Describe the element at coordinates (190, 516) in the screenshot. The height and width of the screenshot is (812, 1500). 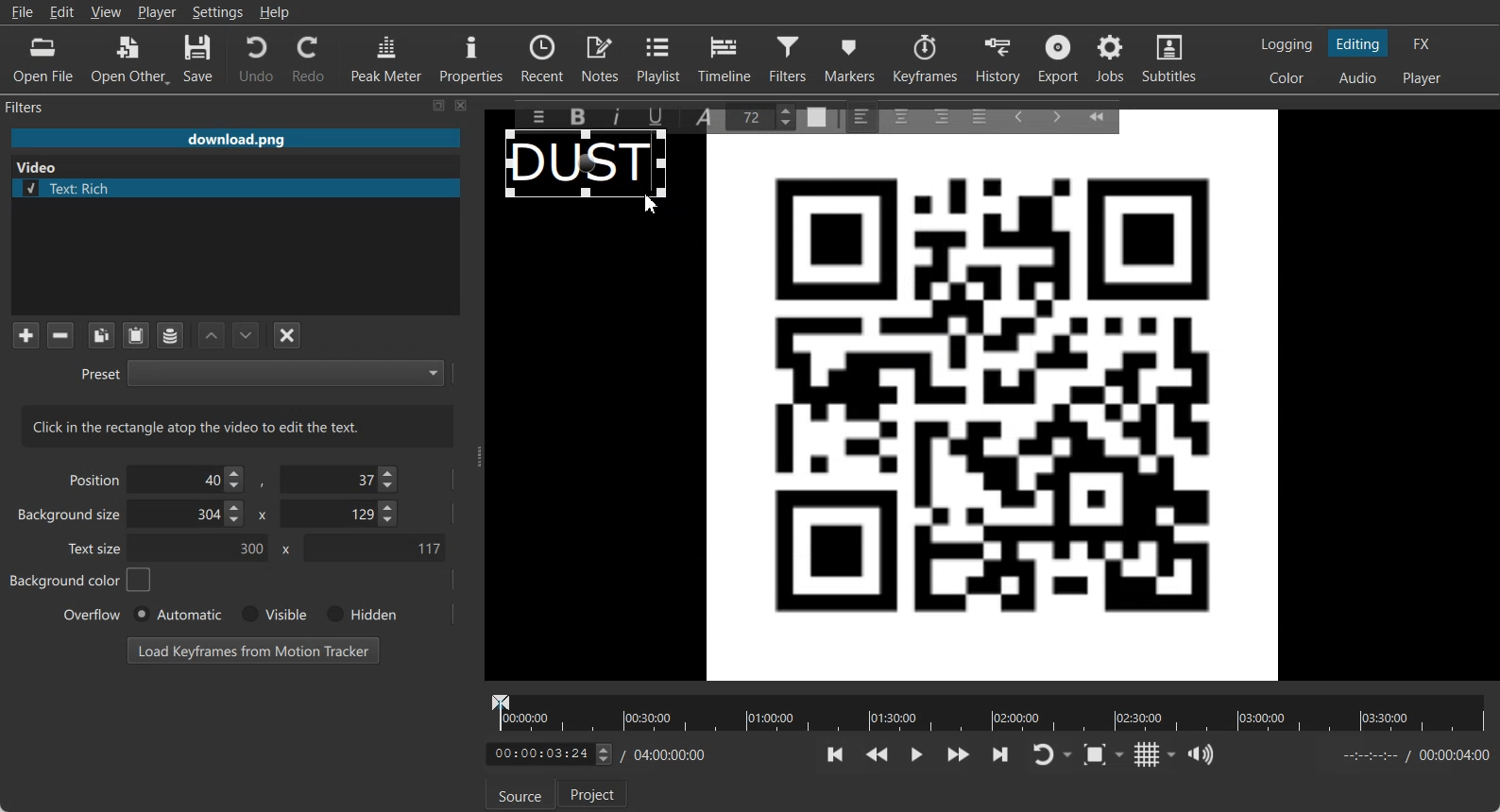
I see `Background size X- Coordinate` at that location.